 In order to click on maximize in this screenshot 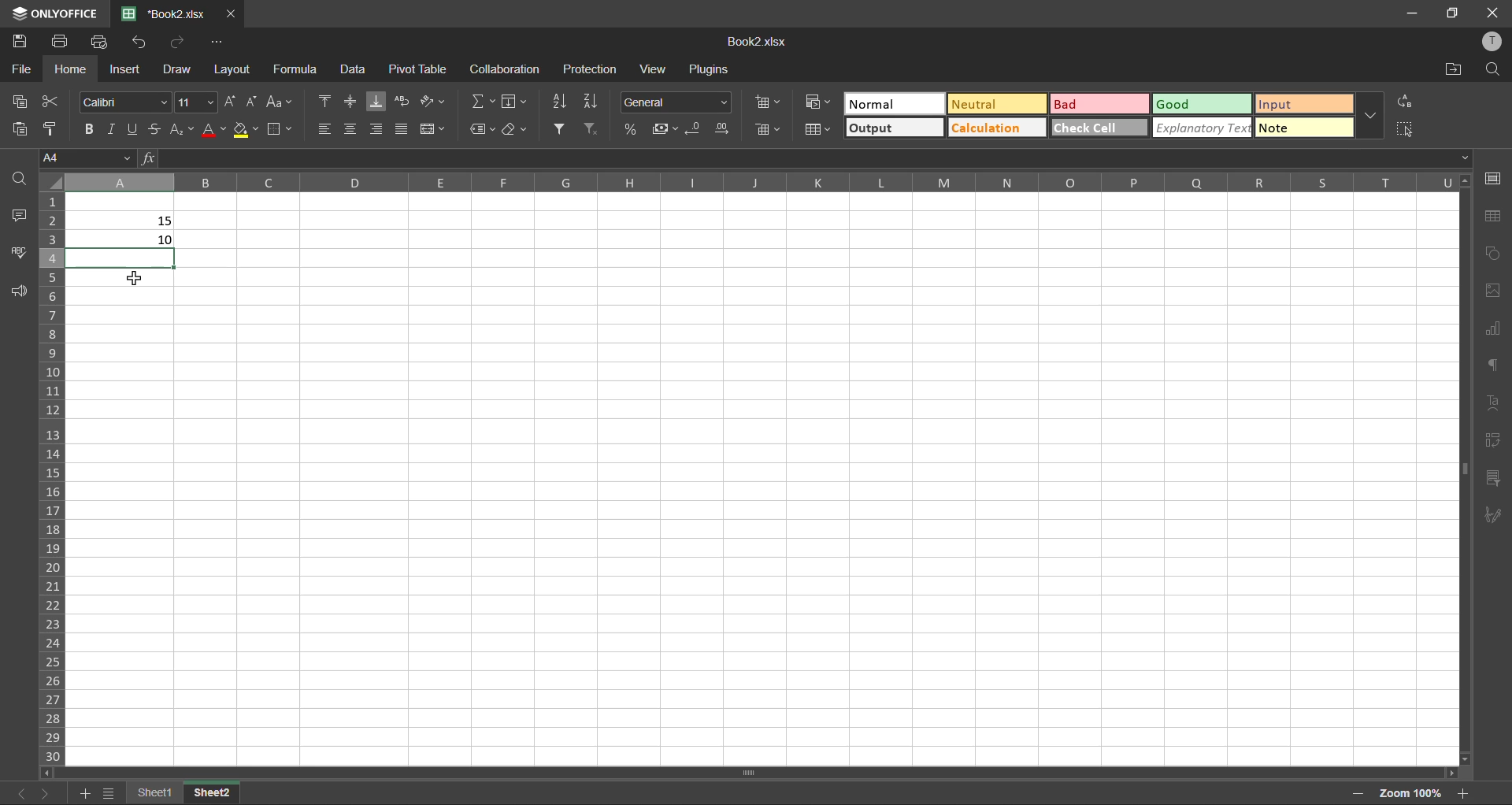, I will do `click(1452, 13)`.